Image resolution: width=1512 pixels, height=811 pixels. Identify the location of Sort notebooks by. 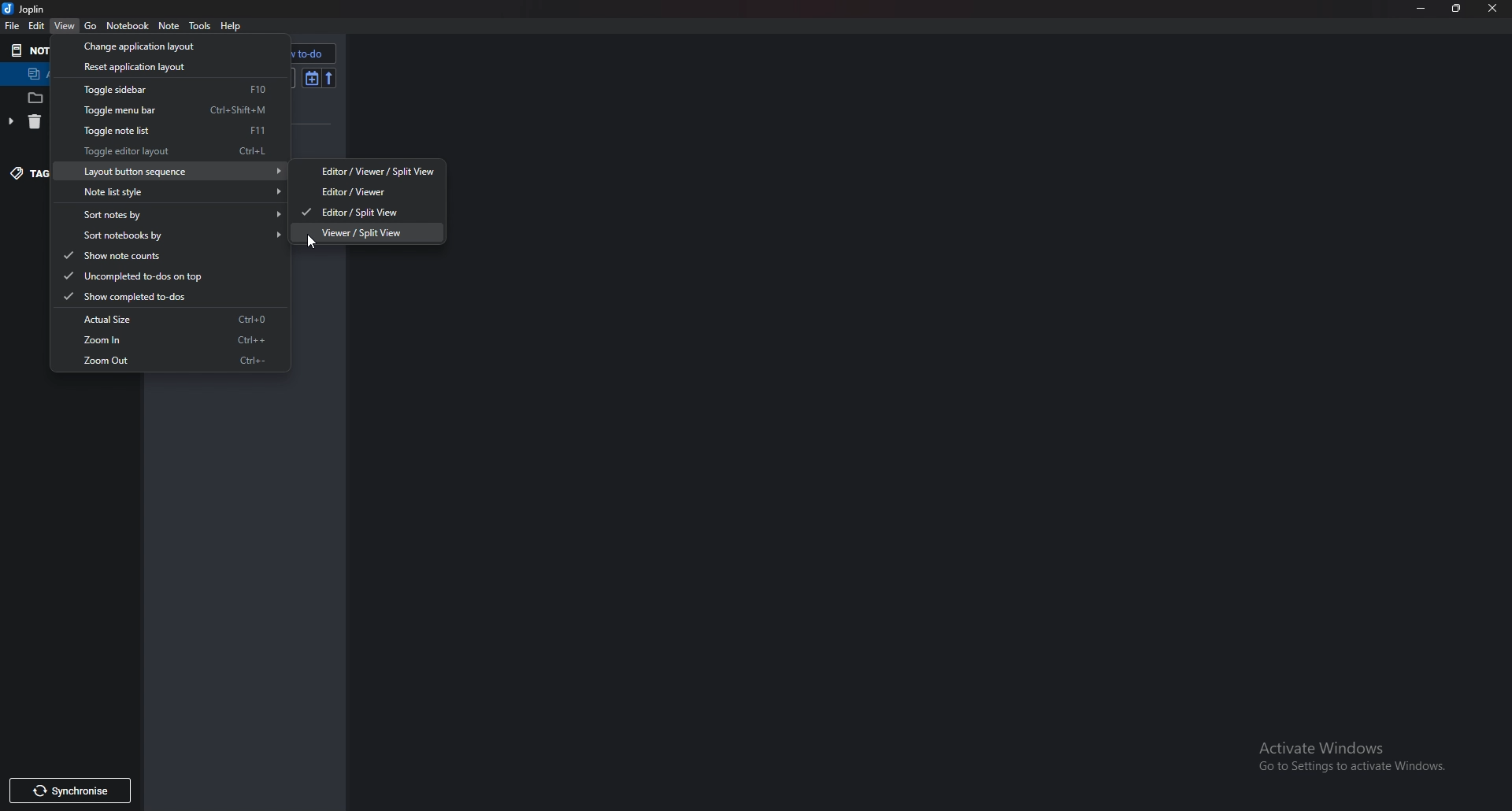
(174, 235).